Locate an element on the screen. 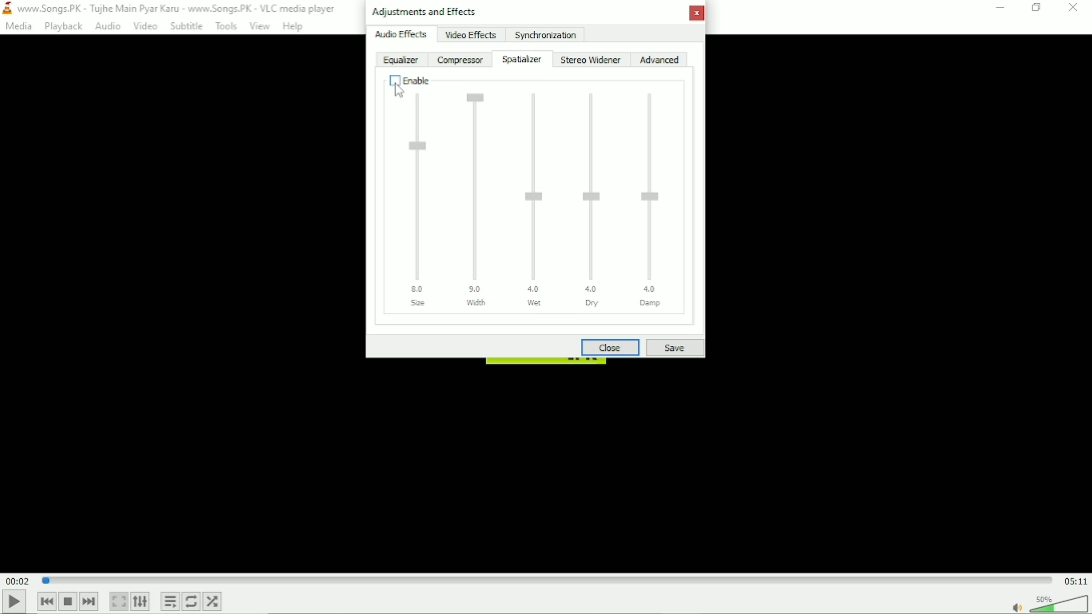 The width and height of the screenshot is (1092, 614). www.Songs.PK - Tujhe Main Pyar Karu - www.Songs.PK - VLC media player is located at coordinates (174, 8).